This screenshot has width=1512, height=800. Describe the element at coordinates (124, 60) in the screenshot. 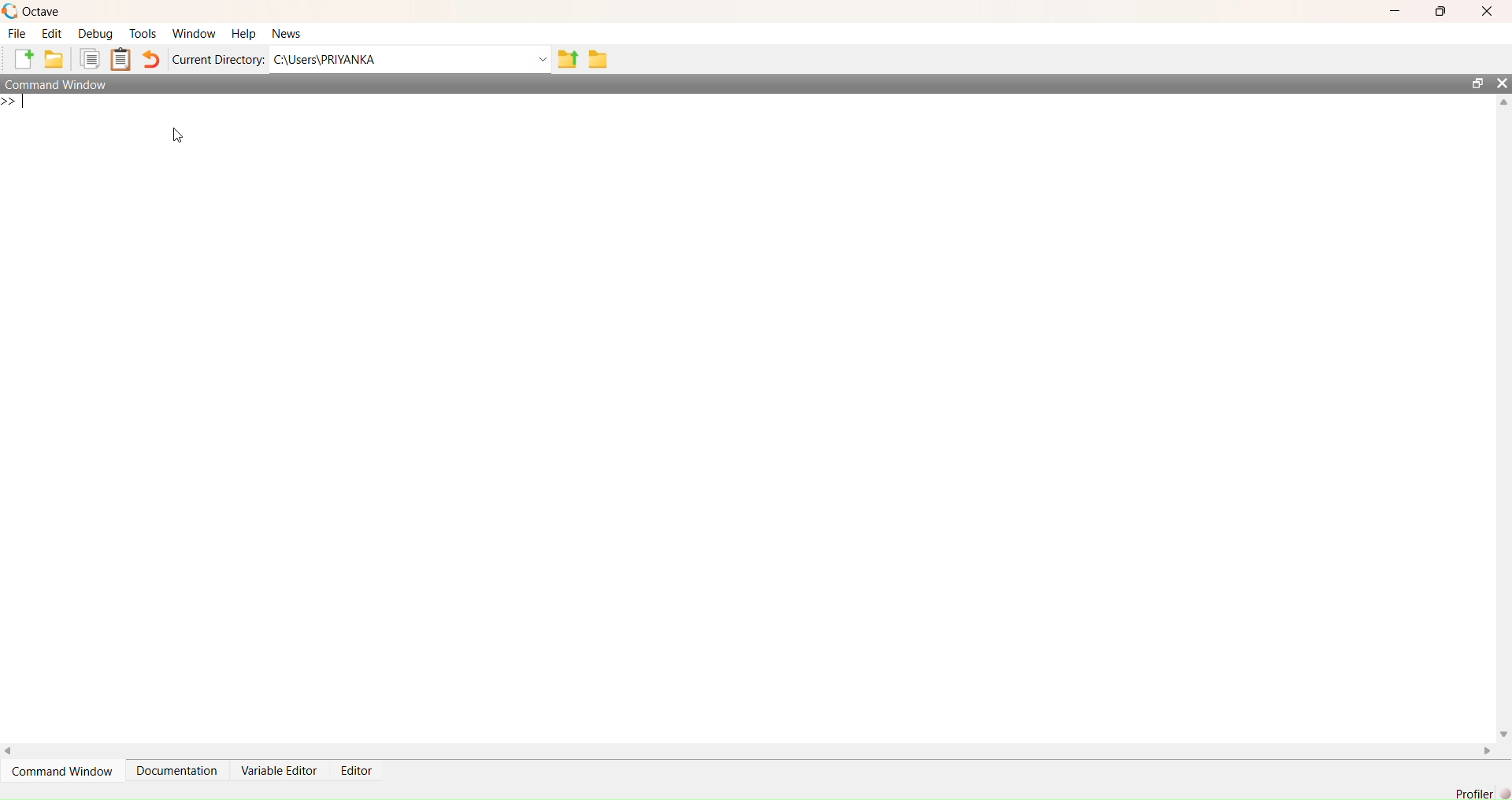

I see `notes` at that location.